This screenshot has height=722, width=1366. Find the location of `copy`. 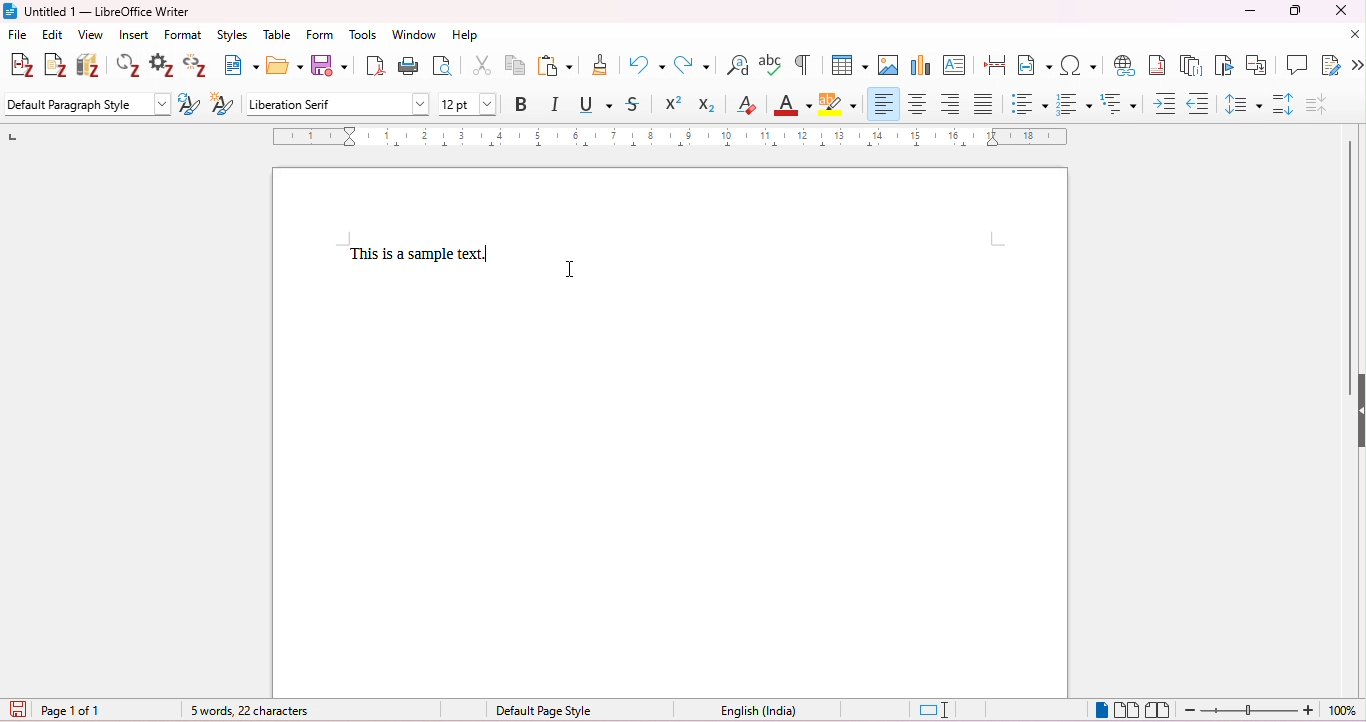

copy is located at coordinates (517, 65).